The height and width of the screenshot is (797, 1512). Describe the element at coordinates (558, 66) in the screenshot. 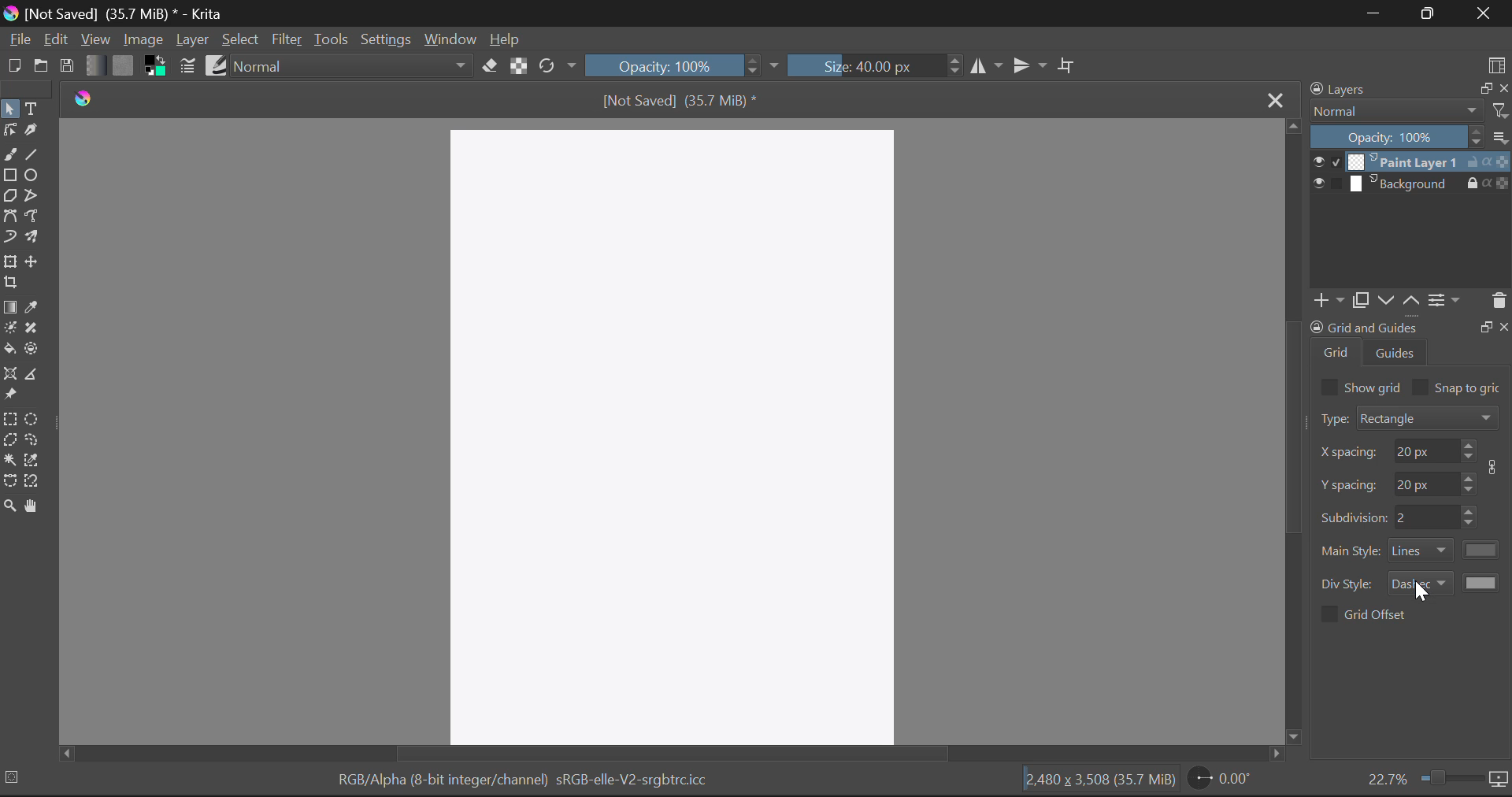

I see `Rotate` at that location.